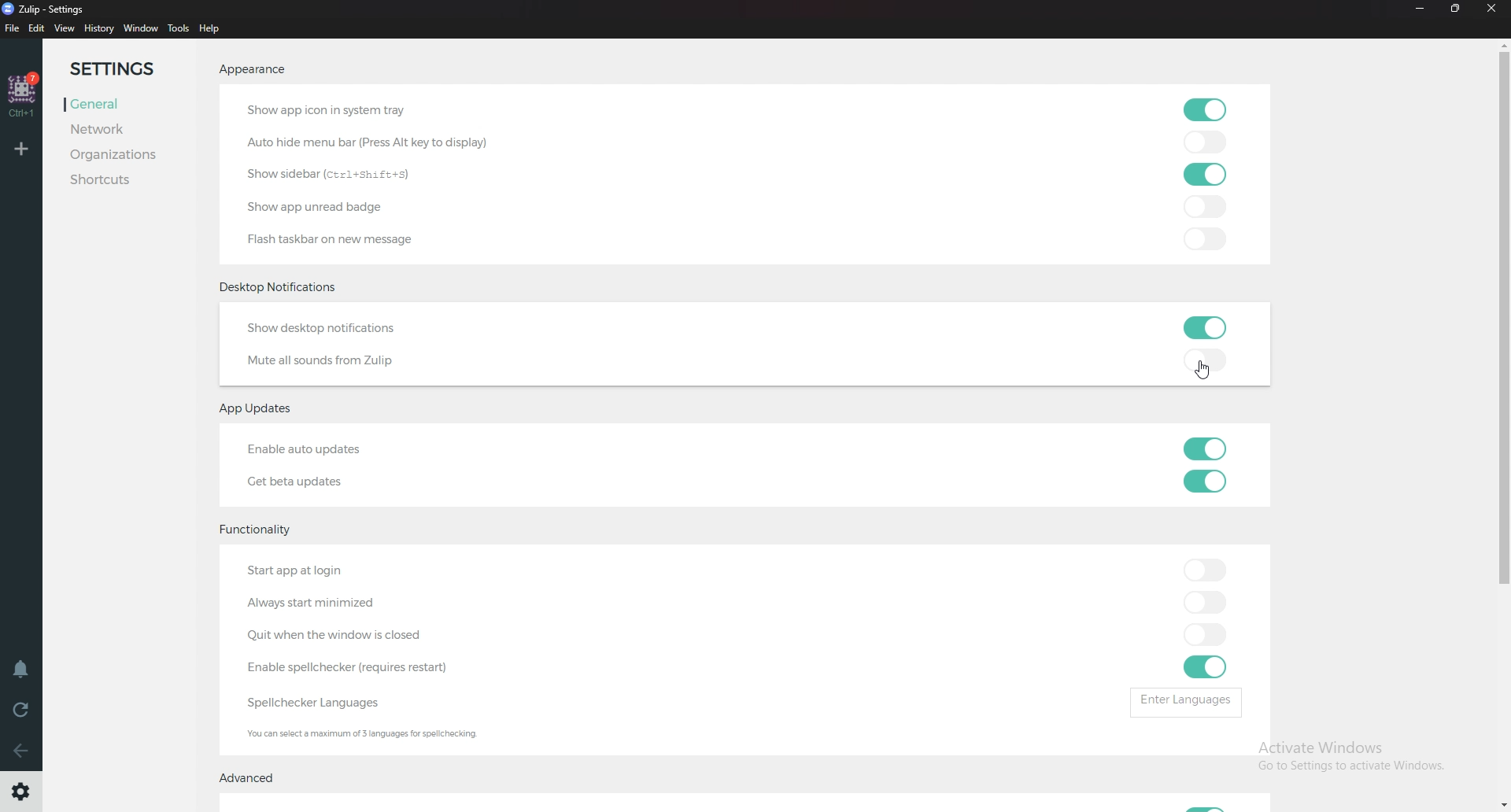  Describe the element at coordinates (1207, 604) in the screenshot. I see `toggle` at that location.